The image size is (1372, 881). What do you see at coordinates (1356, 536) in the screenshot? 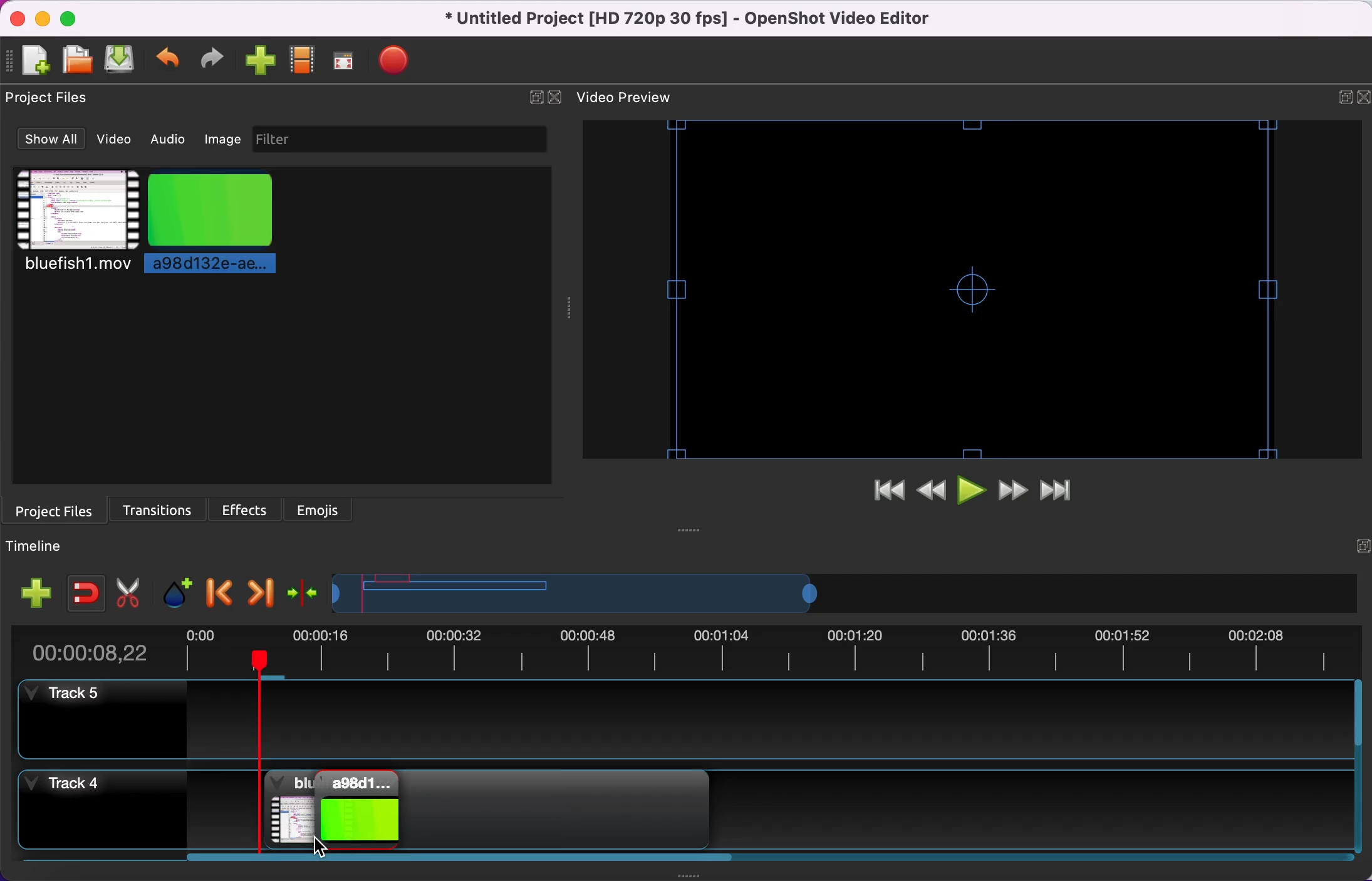
I see `expand/hide` at bounding box center [1356, 536].